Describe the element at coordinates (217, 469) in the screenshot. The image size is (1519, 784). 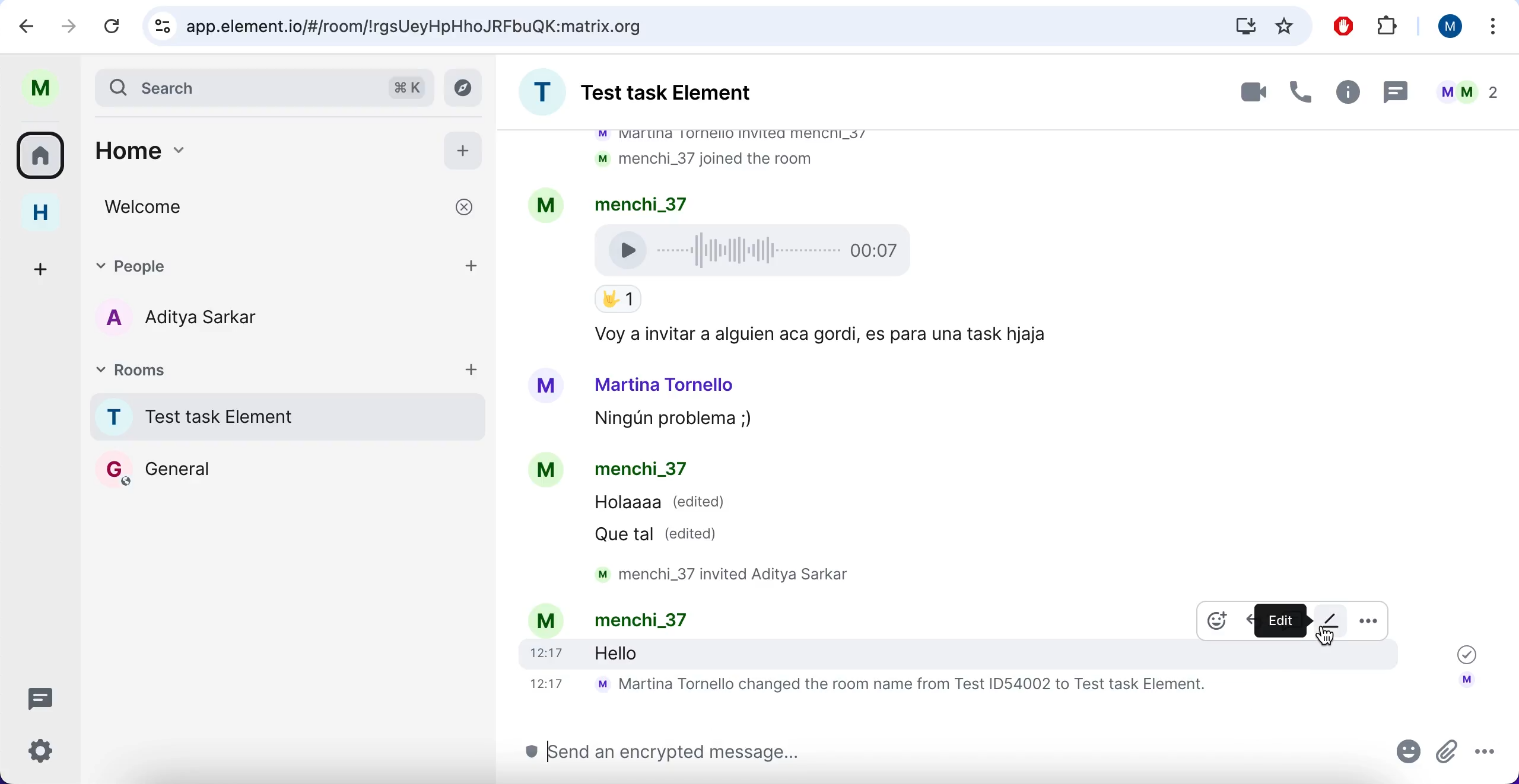
I see `chat room 2` at that location.